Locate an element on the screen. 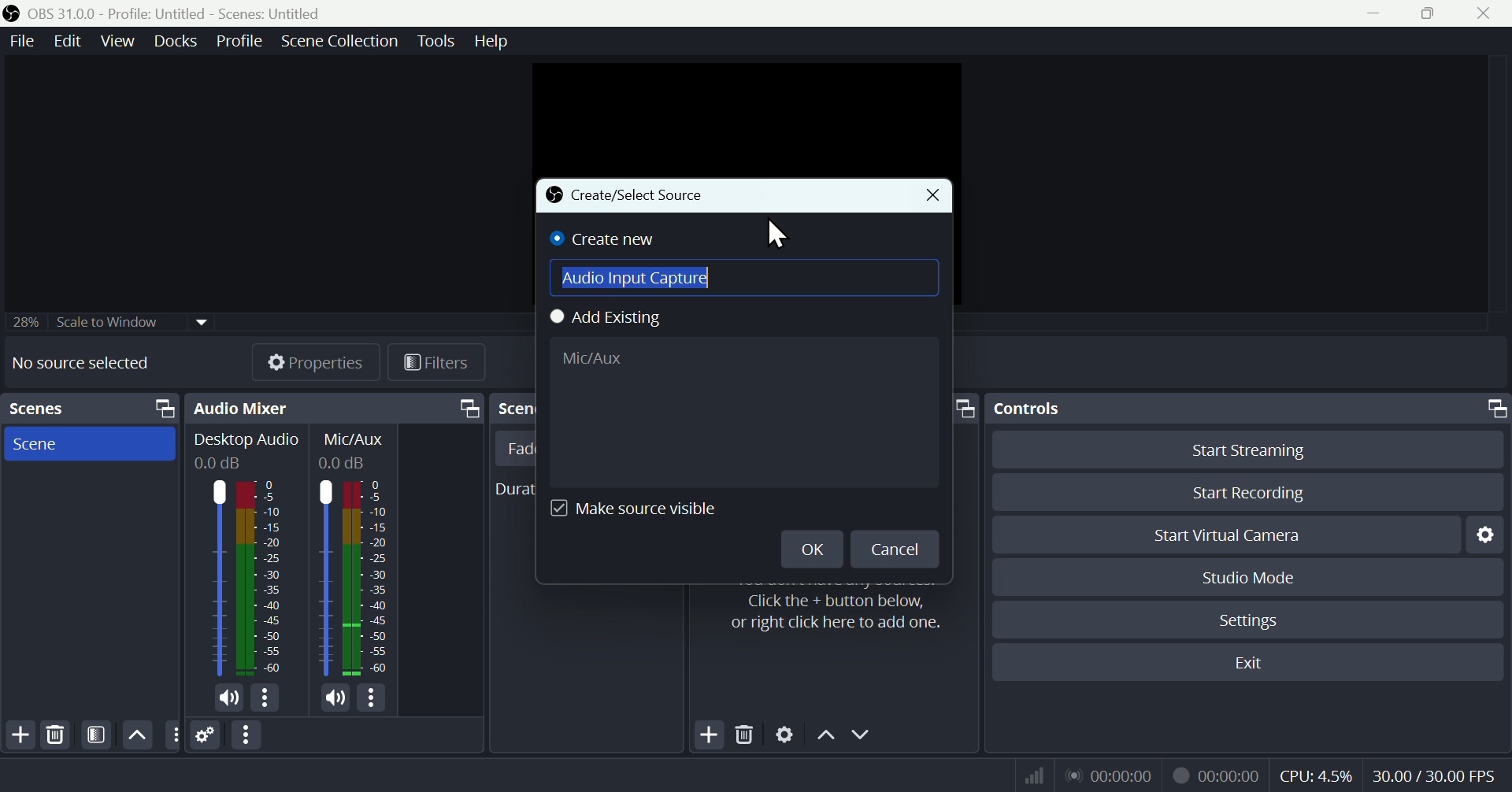  Audio mixer is located at coordinates (332, 409).